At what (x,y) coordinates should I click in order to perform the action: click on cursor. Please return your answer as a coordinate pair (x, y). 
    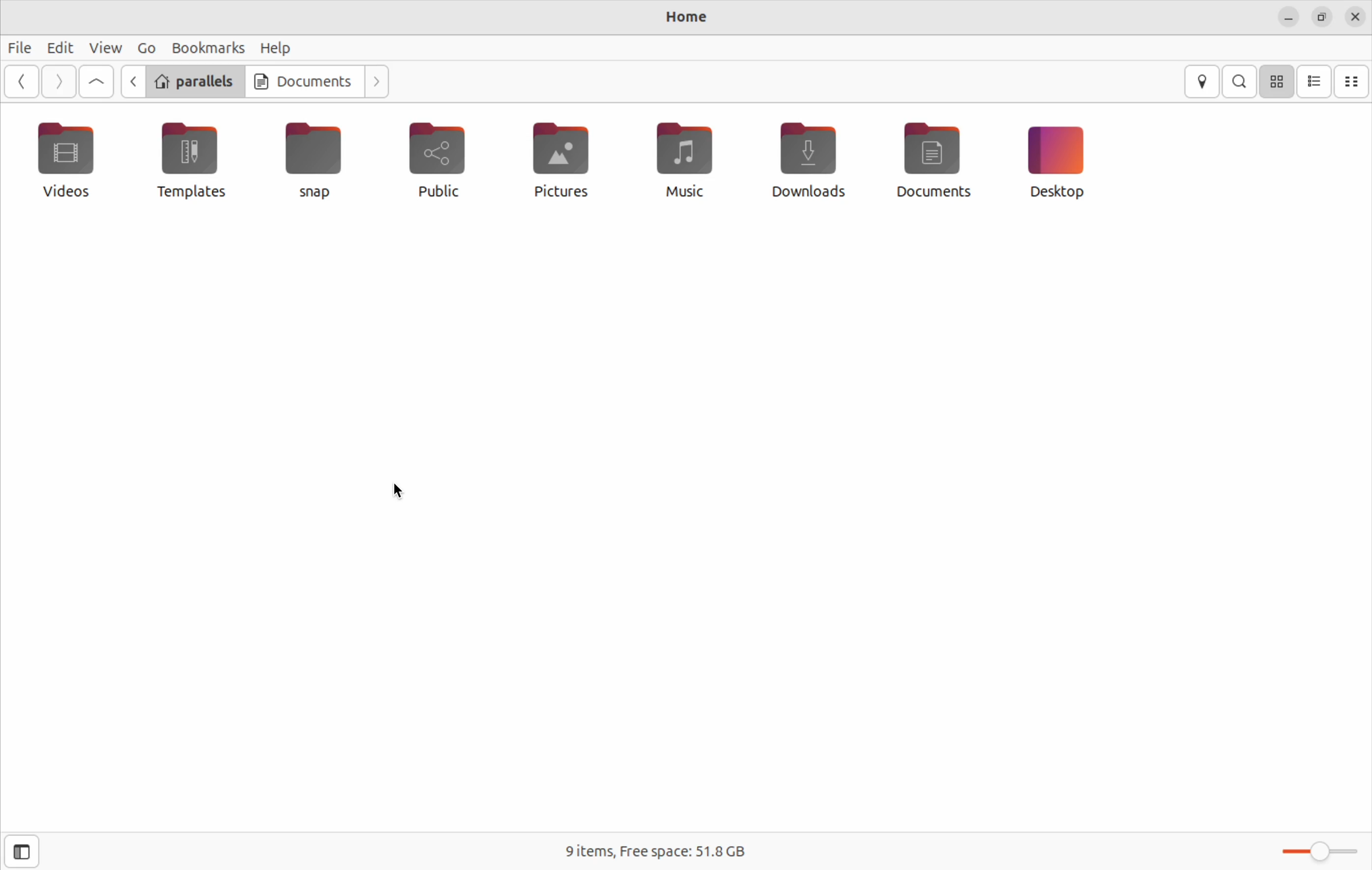
    Looking at the image, I should click on (118, 55).